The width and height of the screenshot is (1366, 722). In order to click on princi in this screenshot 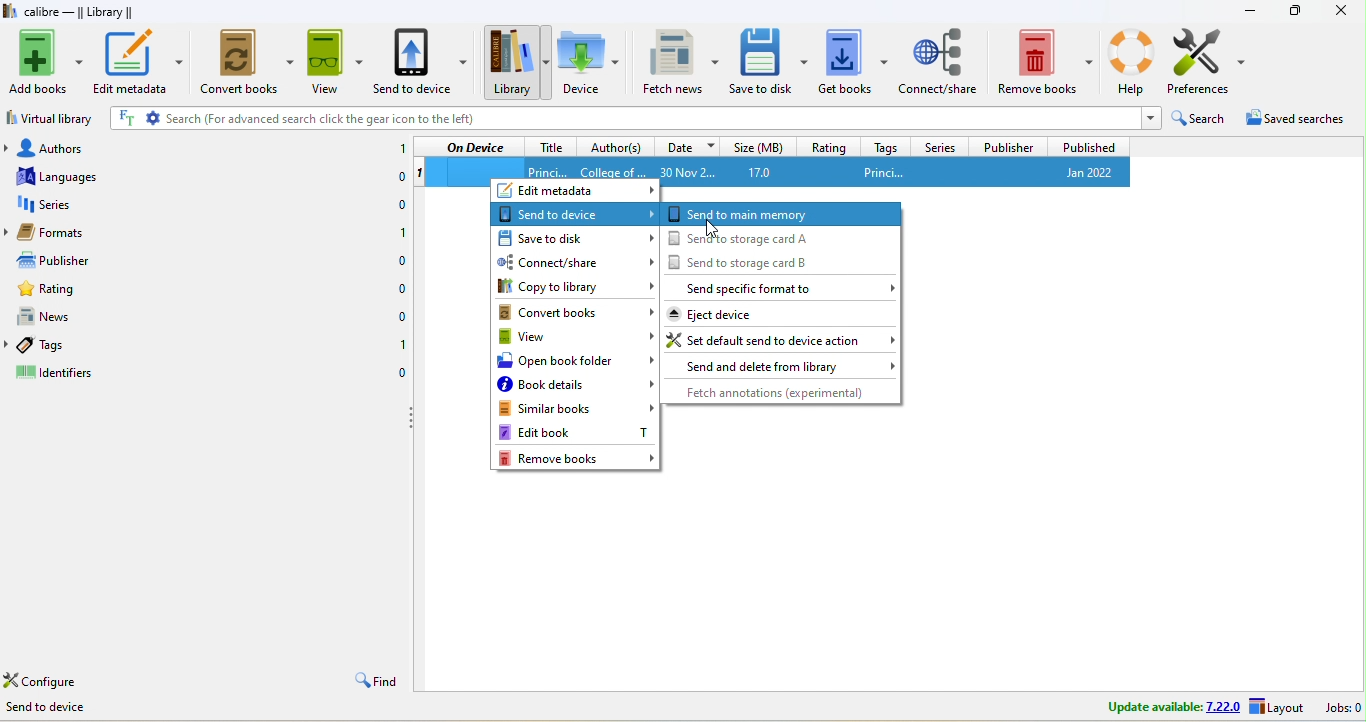, I will do `click(923, 171)`.